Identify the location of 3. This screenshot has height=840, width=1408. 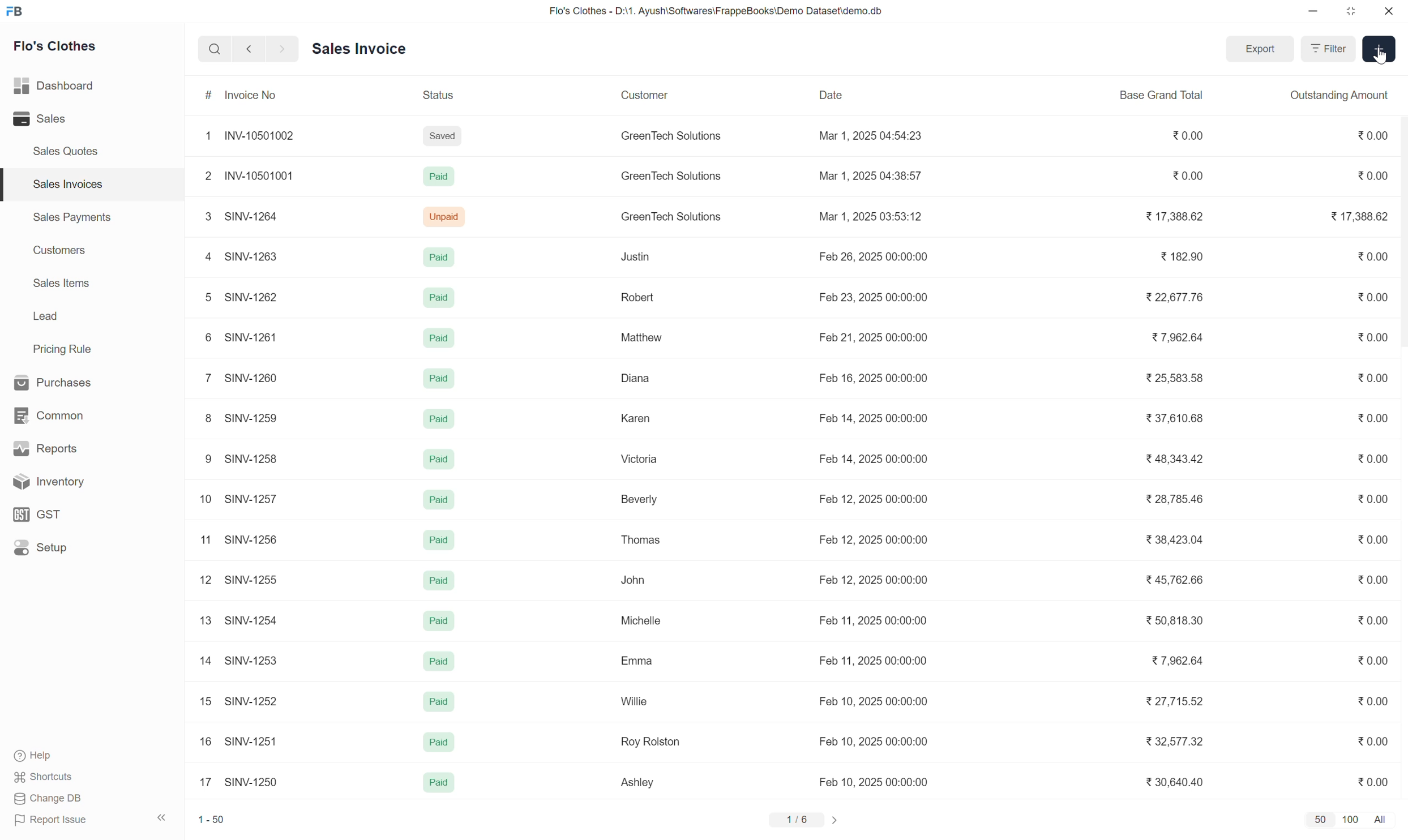
(204, 217).